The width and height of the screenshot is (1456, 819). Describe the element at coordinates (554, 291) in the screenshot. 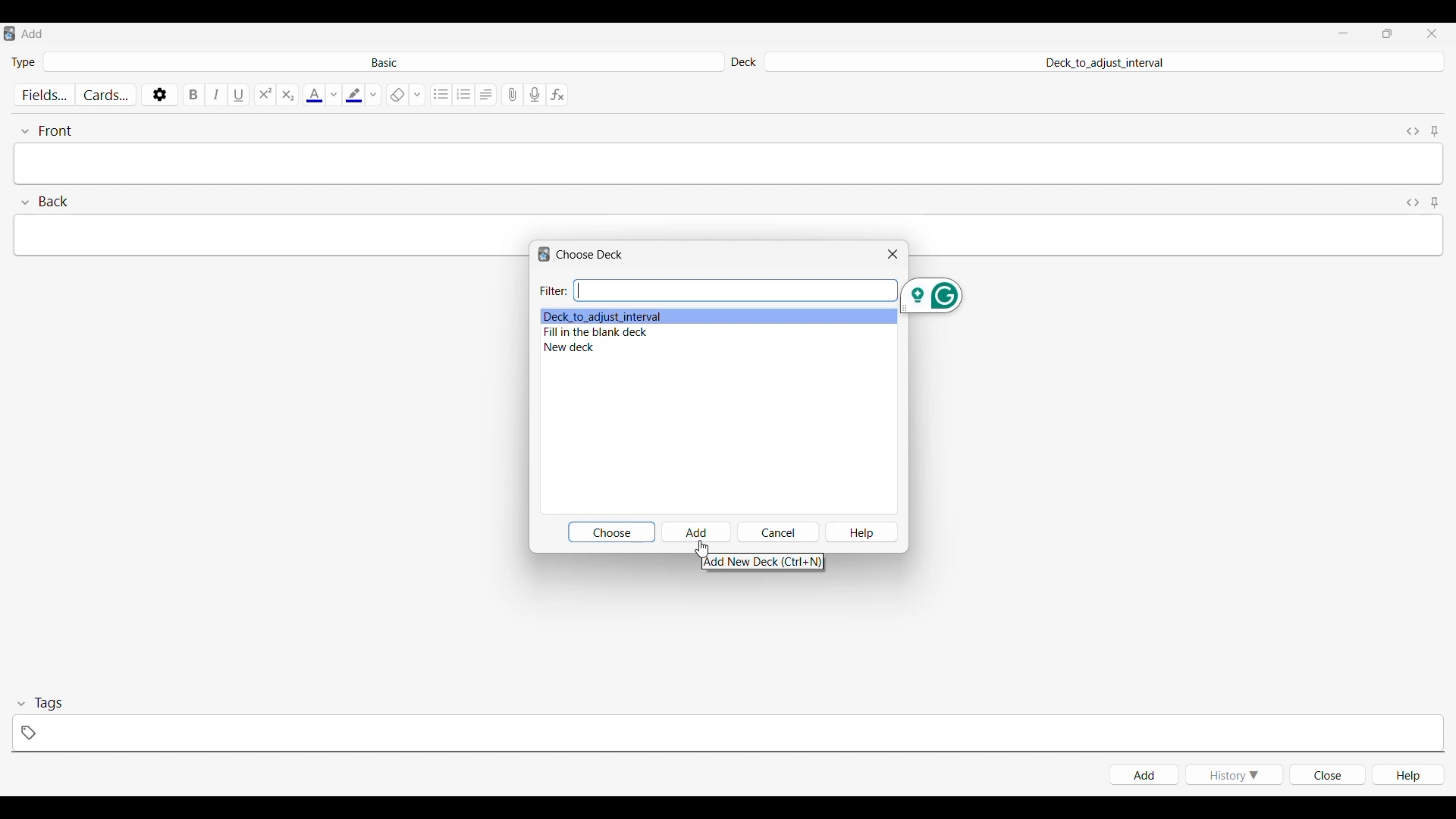

I see `Indicates Filter input` at that location.